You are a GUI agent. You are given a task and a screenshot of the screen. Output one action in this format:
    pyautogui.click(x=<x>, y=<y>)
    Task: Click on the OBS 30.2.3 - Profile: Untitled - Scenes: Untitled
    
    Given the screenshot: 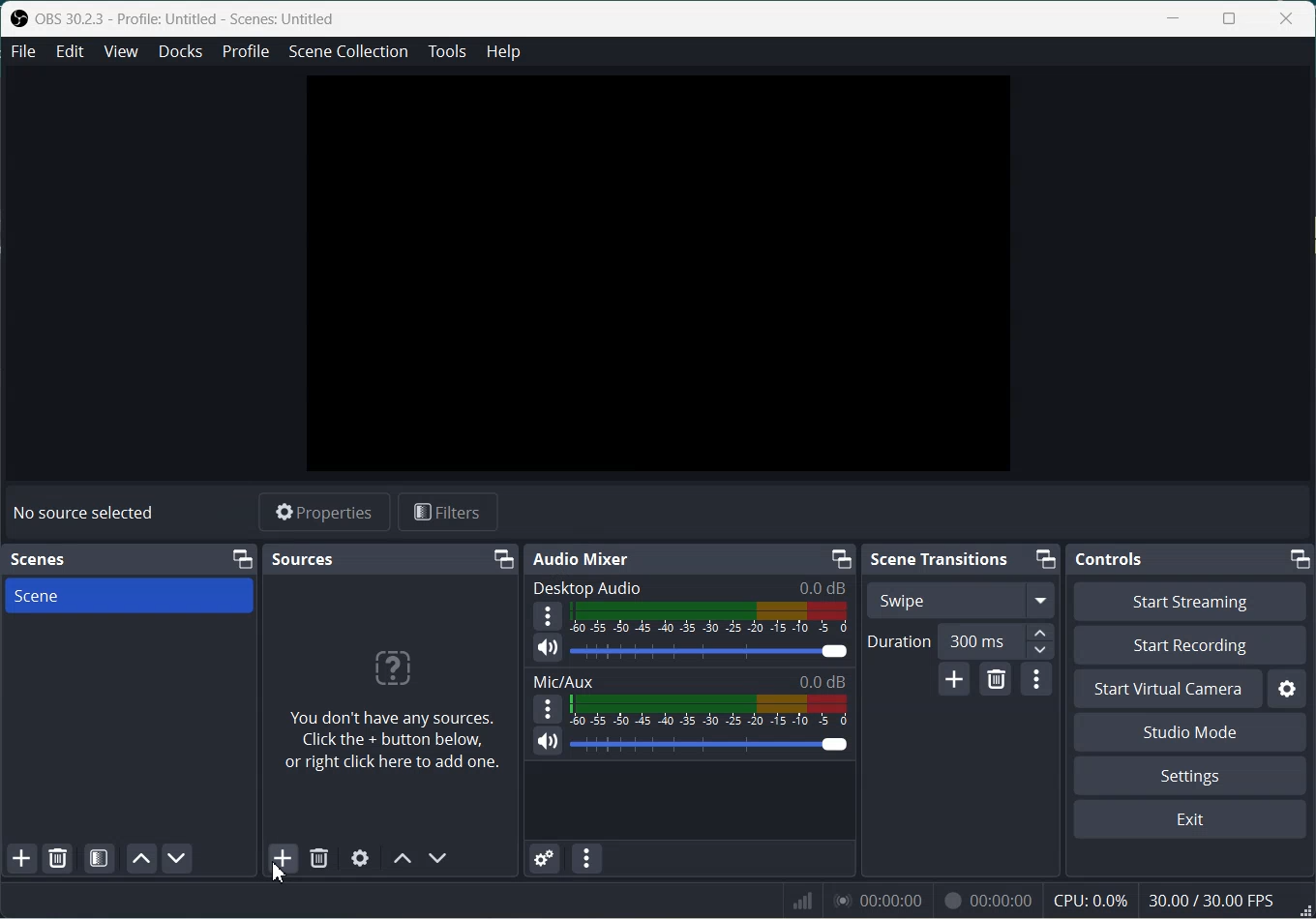 What is the action you would take?
    pyautogui.click(x=189, y=18)
    